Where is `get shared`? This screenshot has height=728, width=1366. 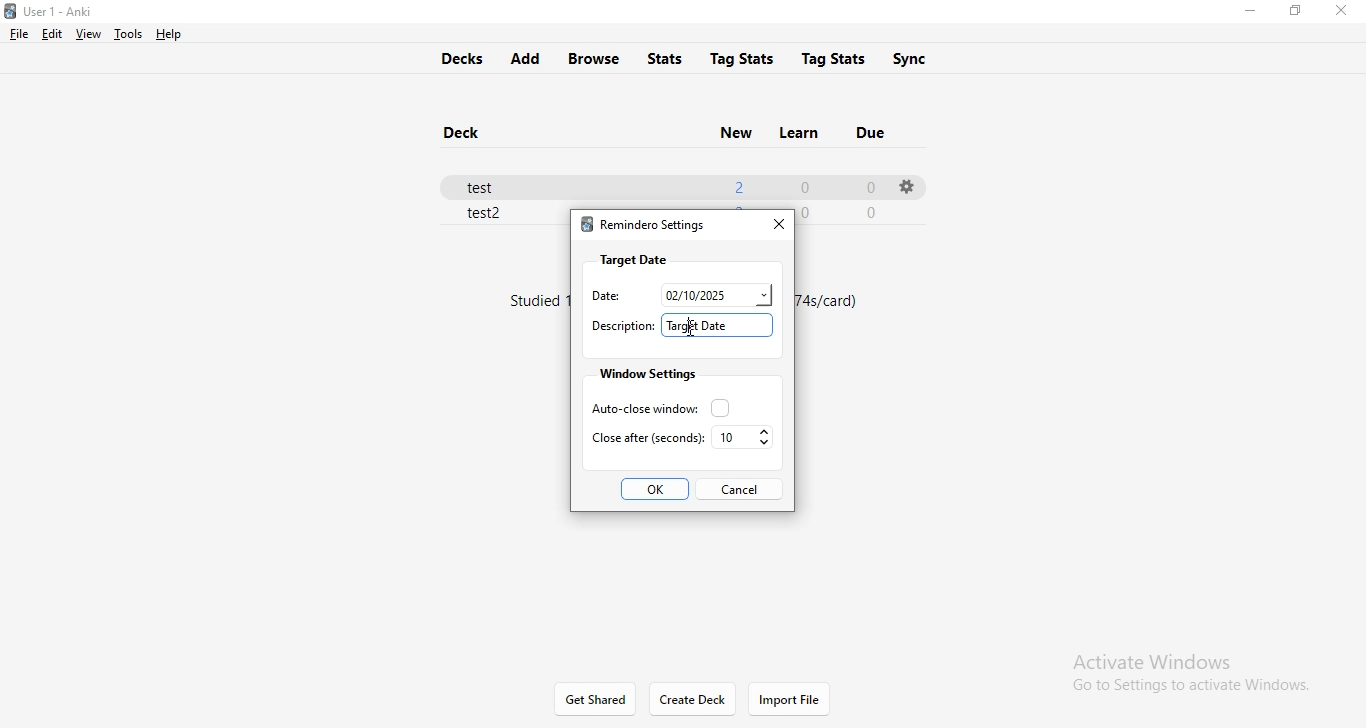
get shared is located at coordinates (597, 700).